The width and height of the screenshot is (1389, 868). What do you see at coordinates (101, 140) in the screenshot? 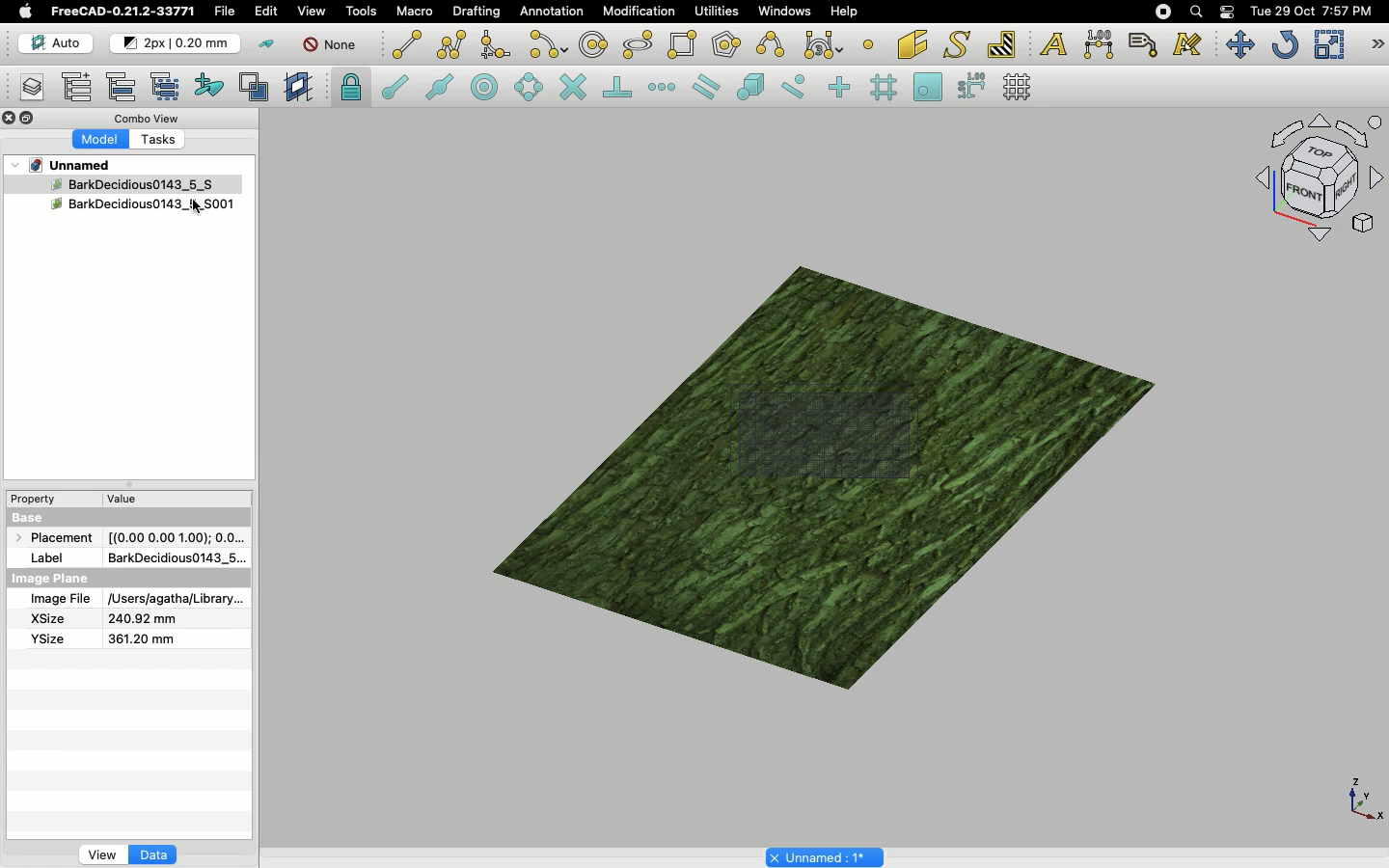
I see `Model` at bounding box center [101, 140].